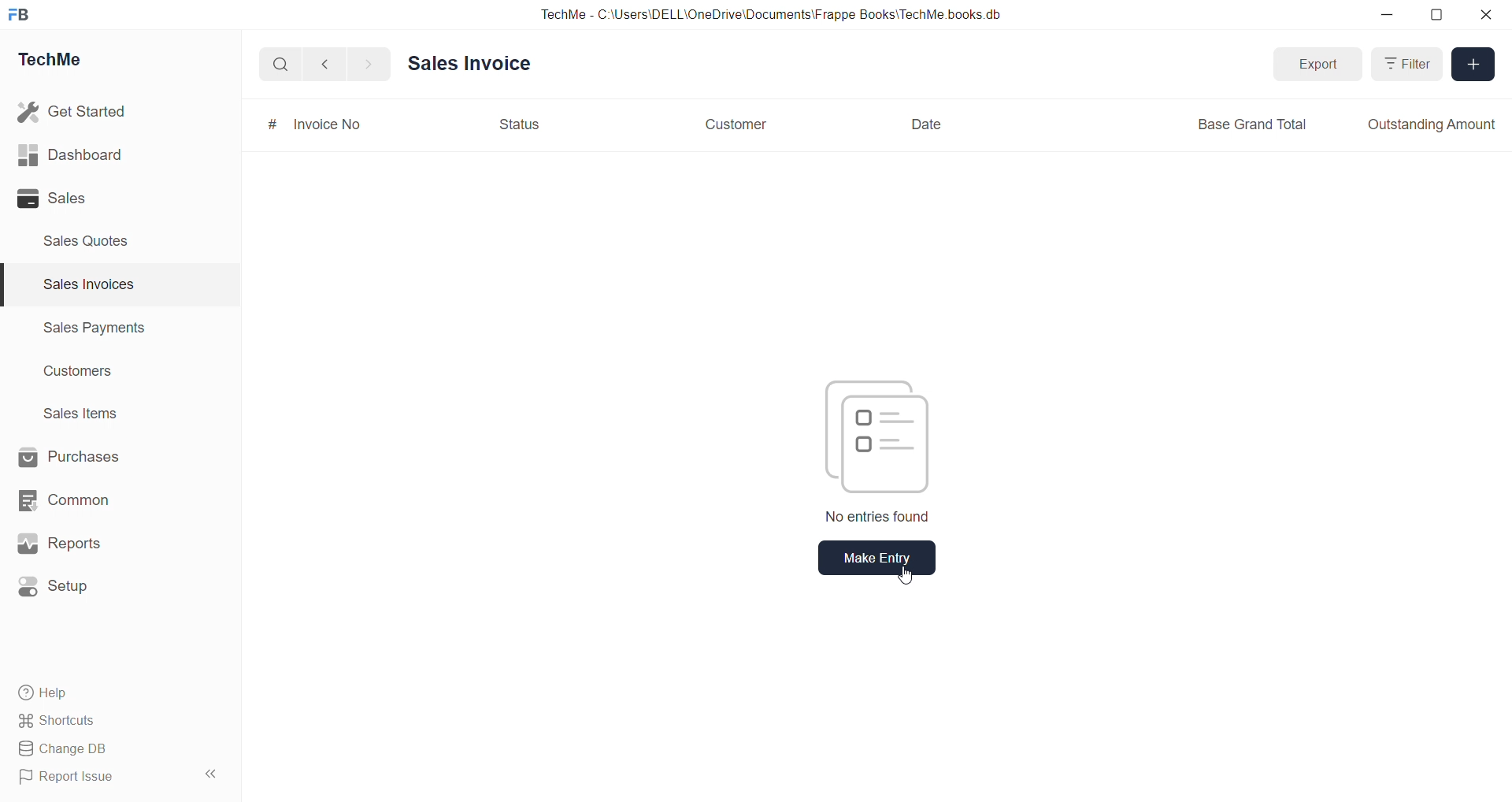 The width and height of the screenshot is (1512, 802). What do you see at coordinates (59, 543) in the screenshot?
I see `Reports` at bounding box center [59, 543].